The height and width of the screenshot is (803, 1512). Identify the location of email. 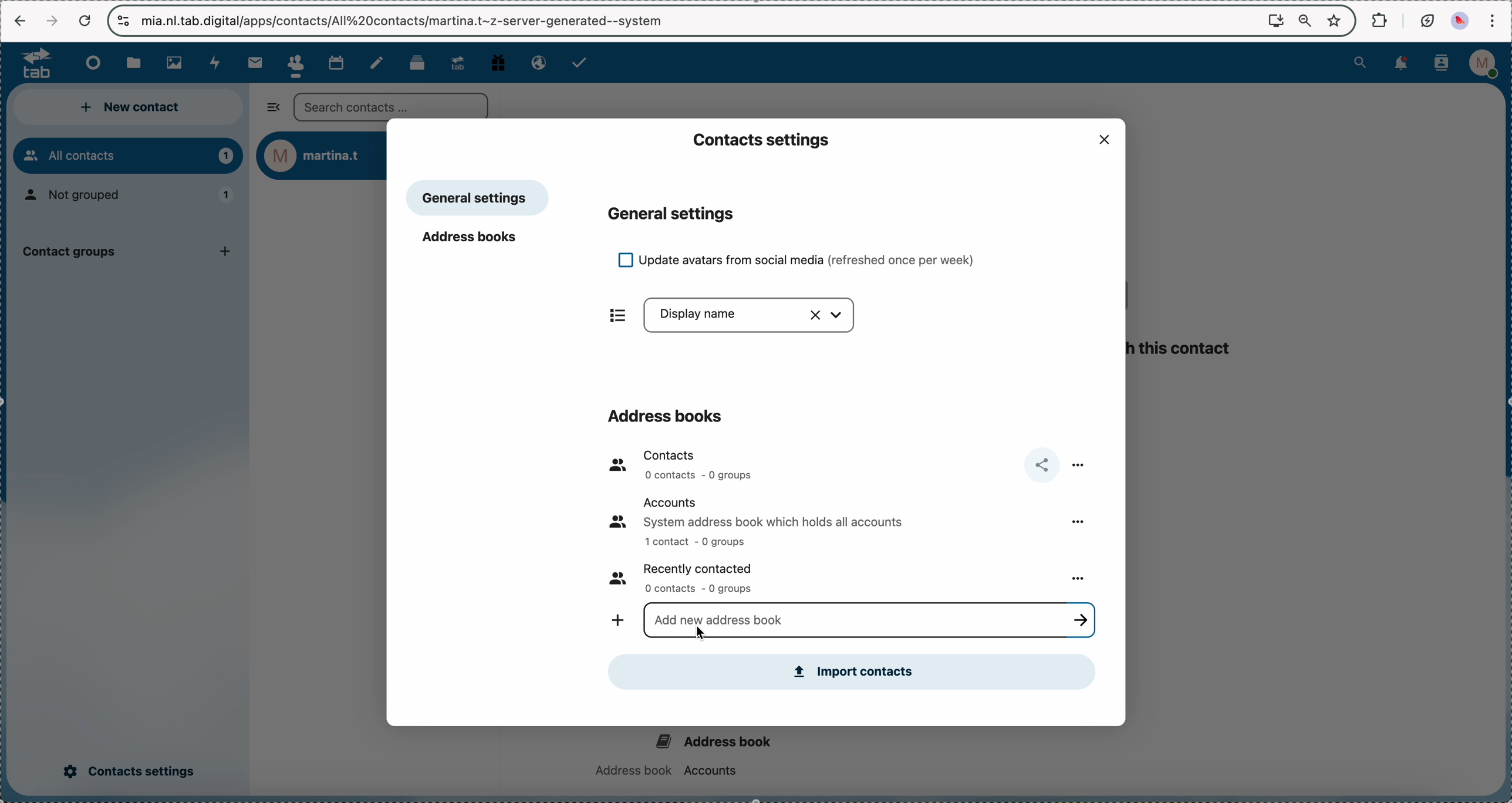
(535, 62).